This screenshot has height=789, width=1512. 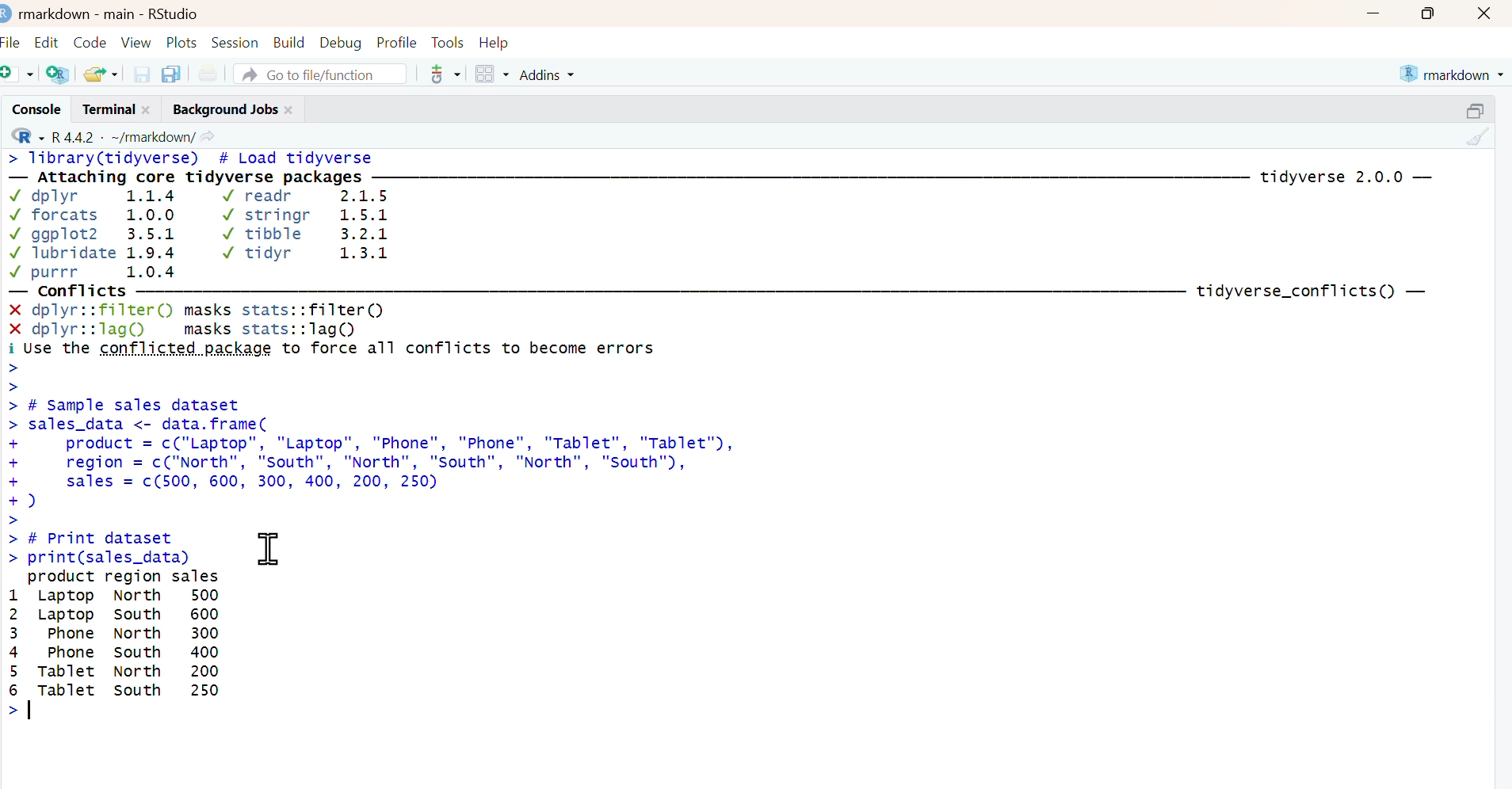 I want to click on Terminal, so click(x=105, y=109).